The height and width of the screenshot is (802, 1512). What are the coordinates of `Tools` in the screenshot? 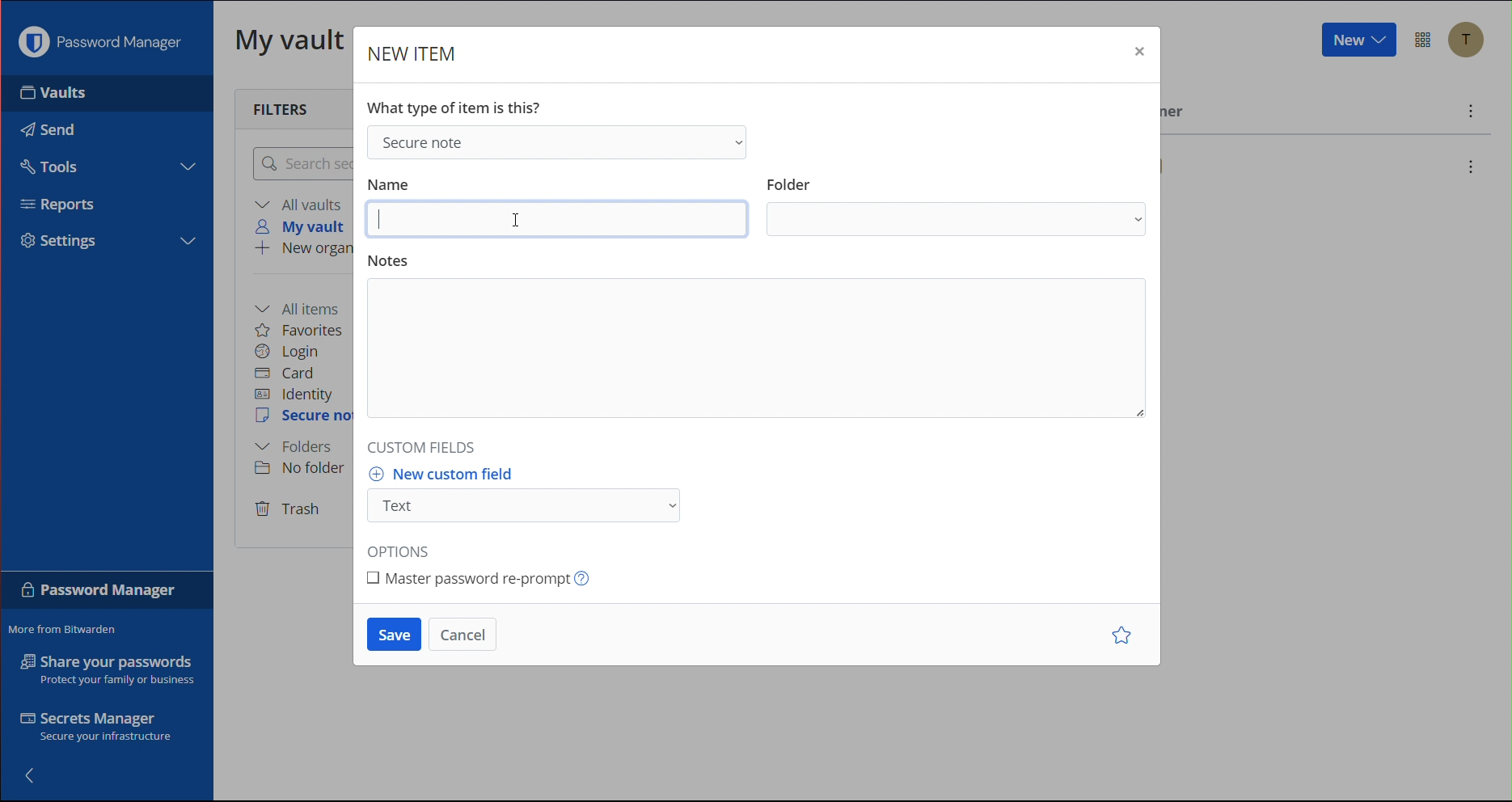 It's located at (47, 164).